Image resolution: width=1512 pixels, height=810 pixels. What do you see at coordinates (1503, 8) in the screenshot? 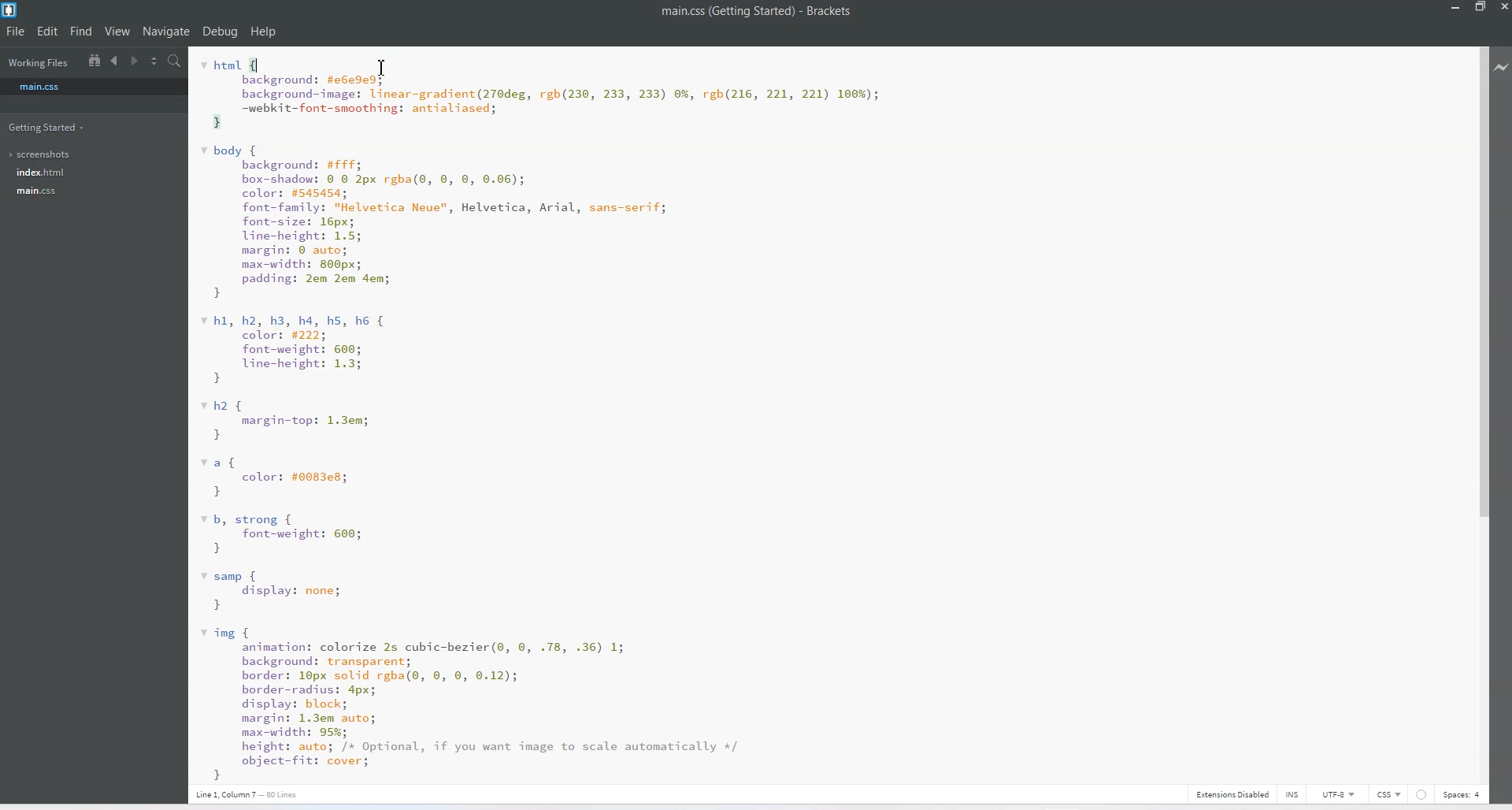
I see `Close` at bounding box center [1503, 8].